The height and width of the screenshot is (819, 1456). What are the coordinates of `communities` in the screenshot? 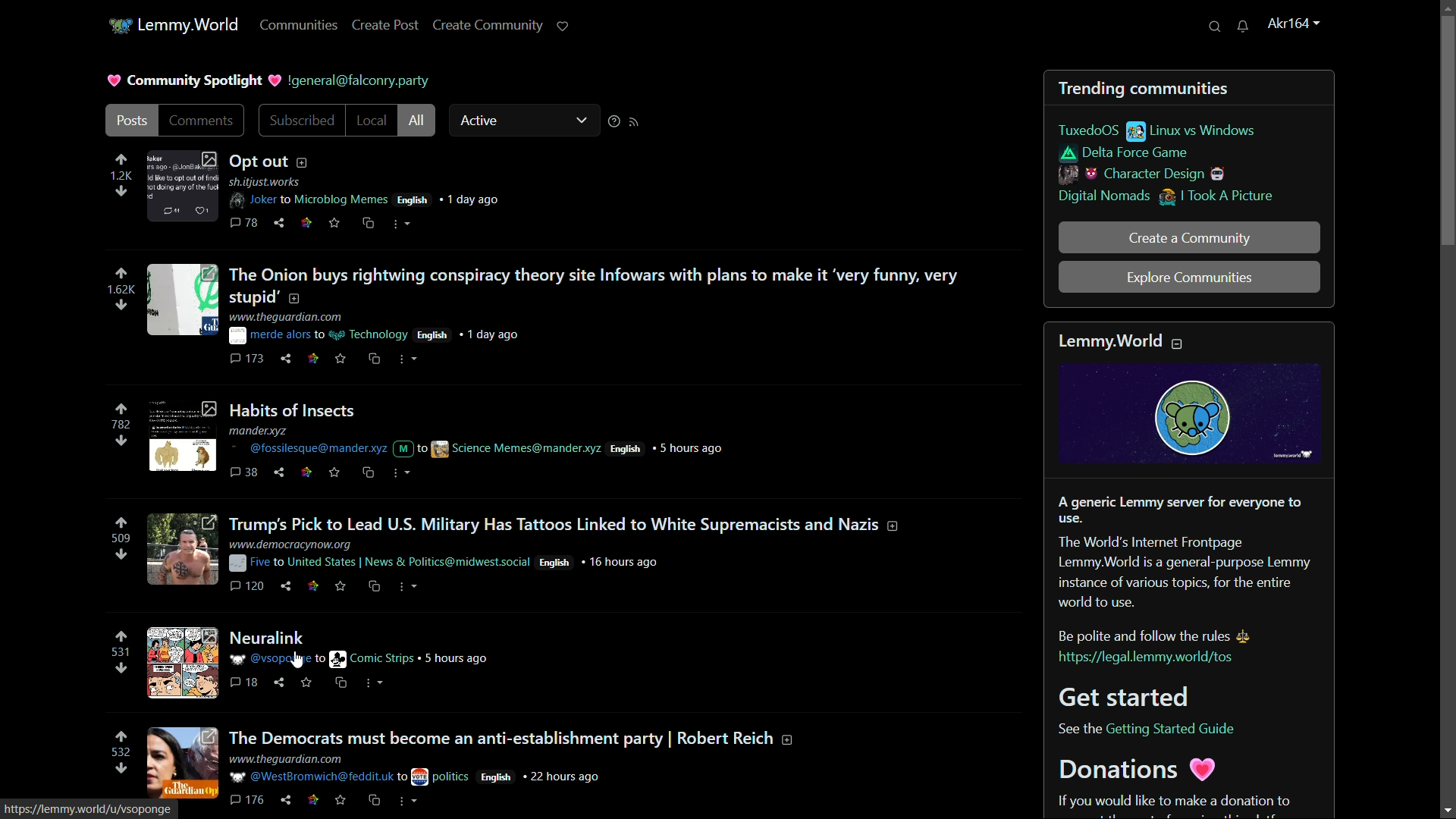 It's located at (299, 27).